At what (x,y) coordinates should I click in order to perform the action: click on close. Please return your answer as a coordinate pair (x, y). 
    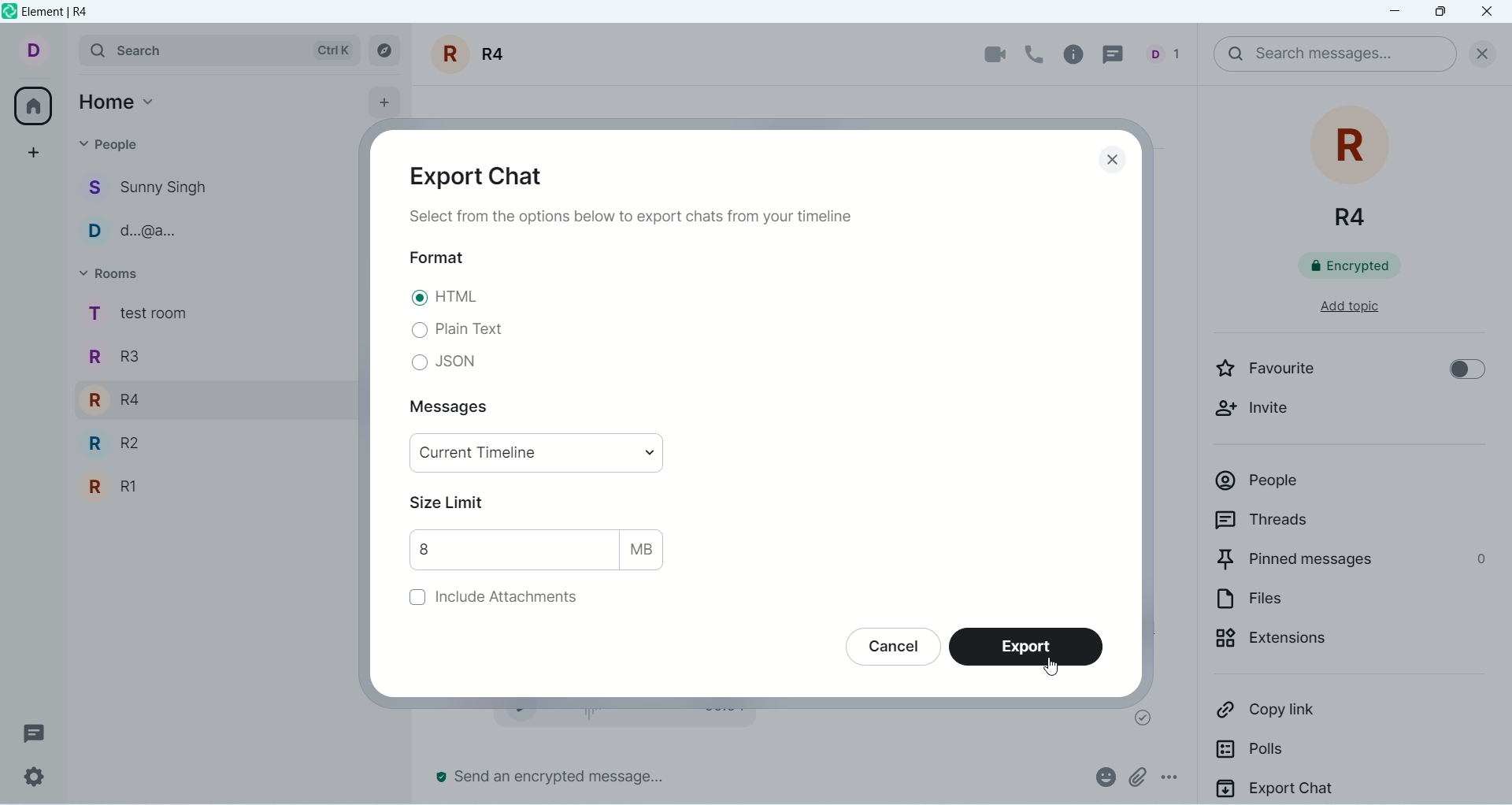
    Looking at the image, I should click on (1489, 13).